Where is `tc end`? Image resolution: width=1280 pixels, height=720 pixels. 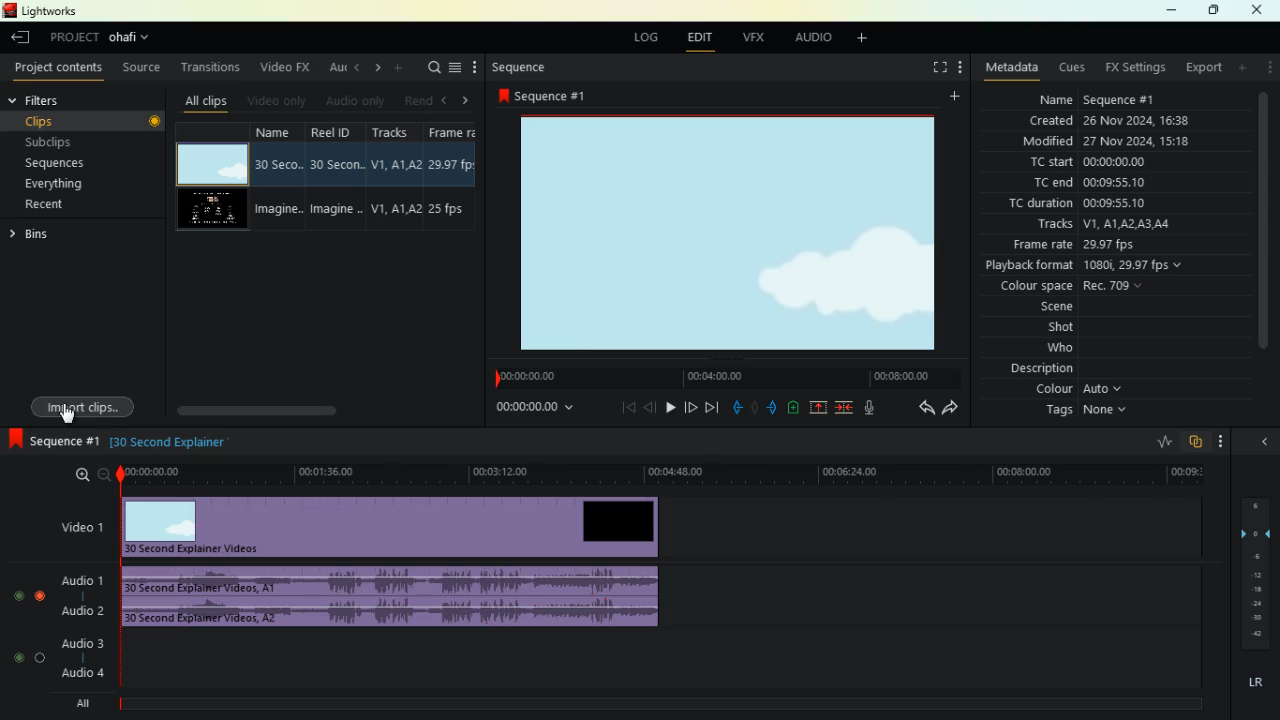 tc end is located at coordinates (1093, 184).